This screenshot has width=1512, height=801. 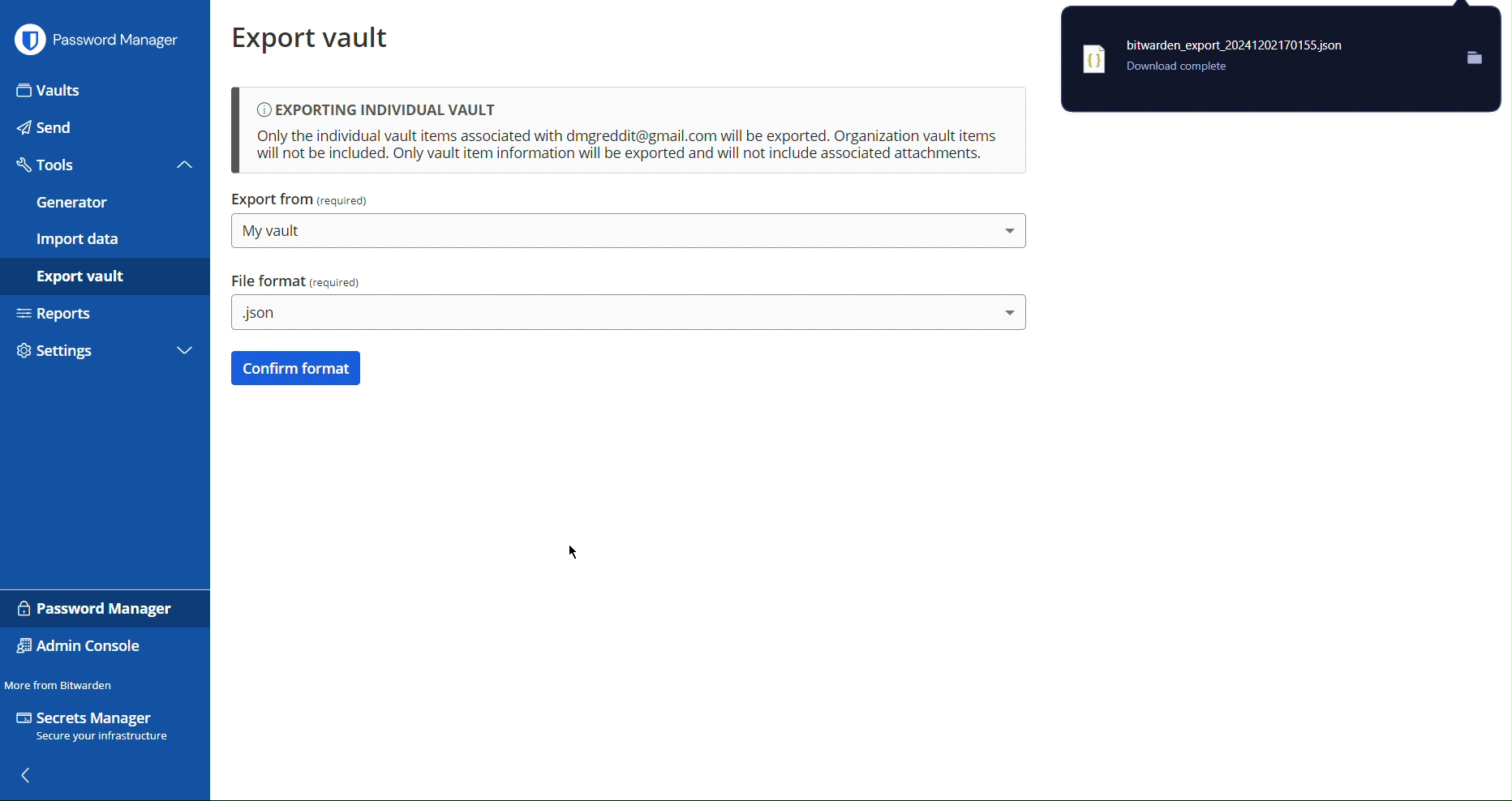 What do you see at coordinates (1280, 60) in the screenshot?
I see `File downloaded` at bounding box center [1280, 60].